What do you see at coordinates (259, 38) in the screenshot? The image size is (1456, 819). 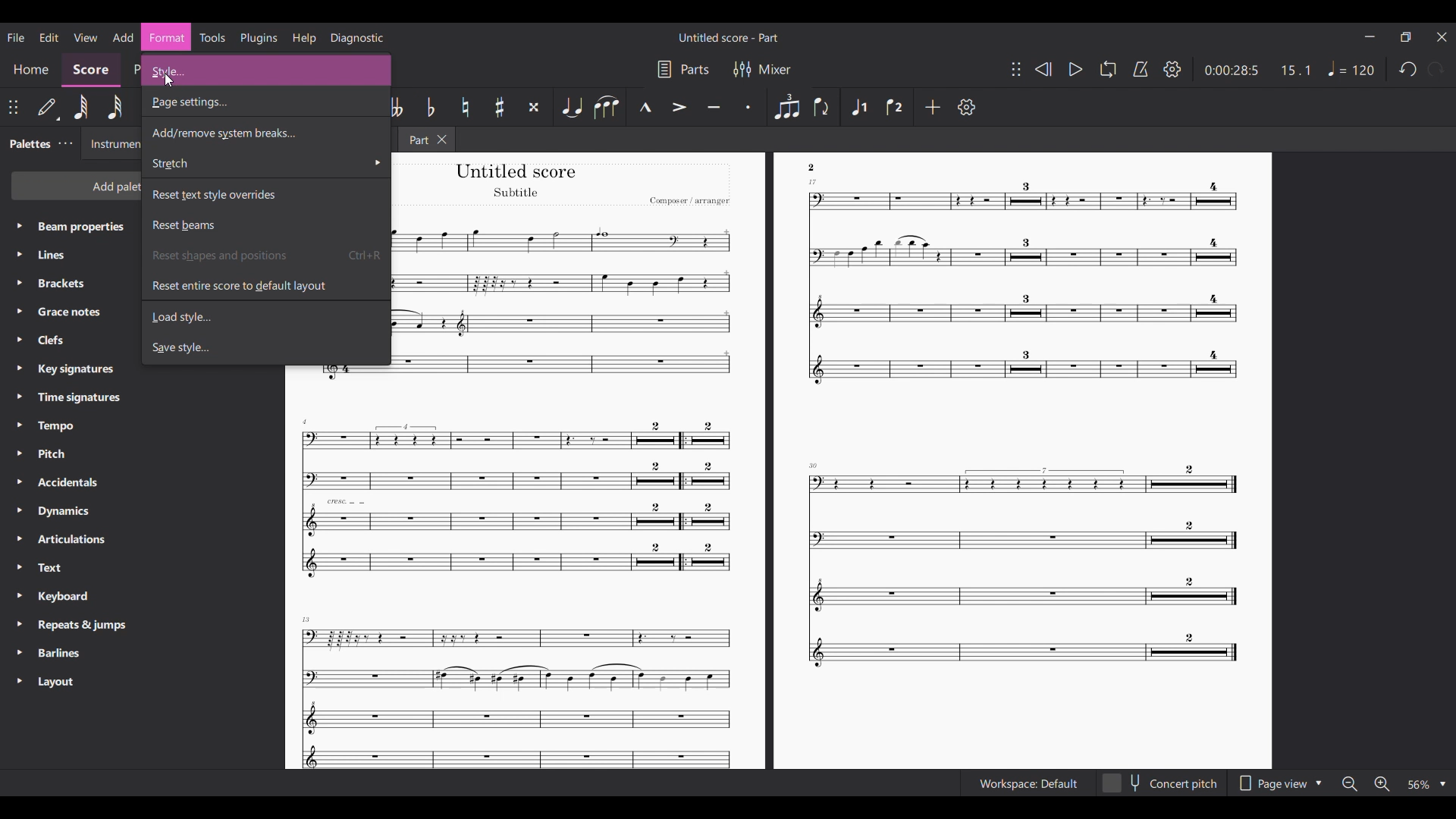 I see `Plugins menu` at bounding box center [259, 38].